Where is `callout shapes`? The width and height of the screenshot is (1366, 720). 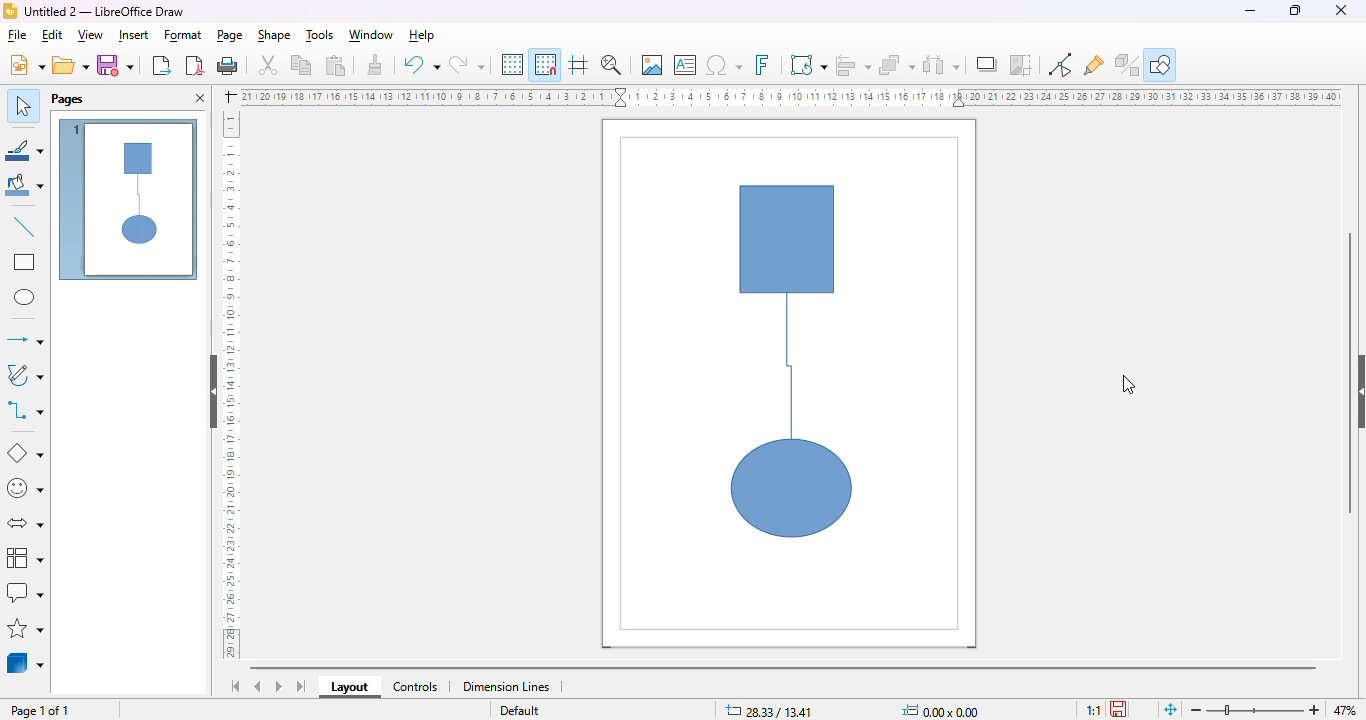
callout shapes is located at coordinates (26, 592).